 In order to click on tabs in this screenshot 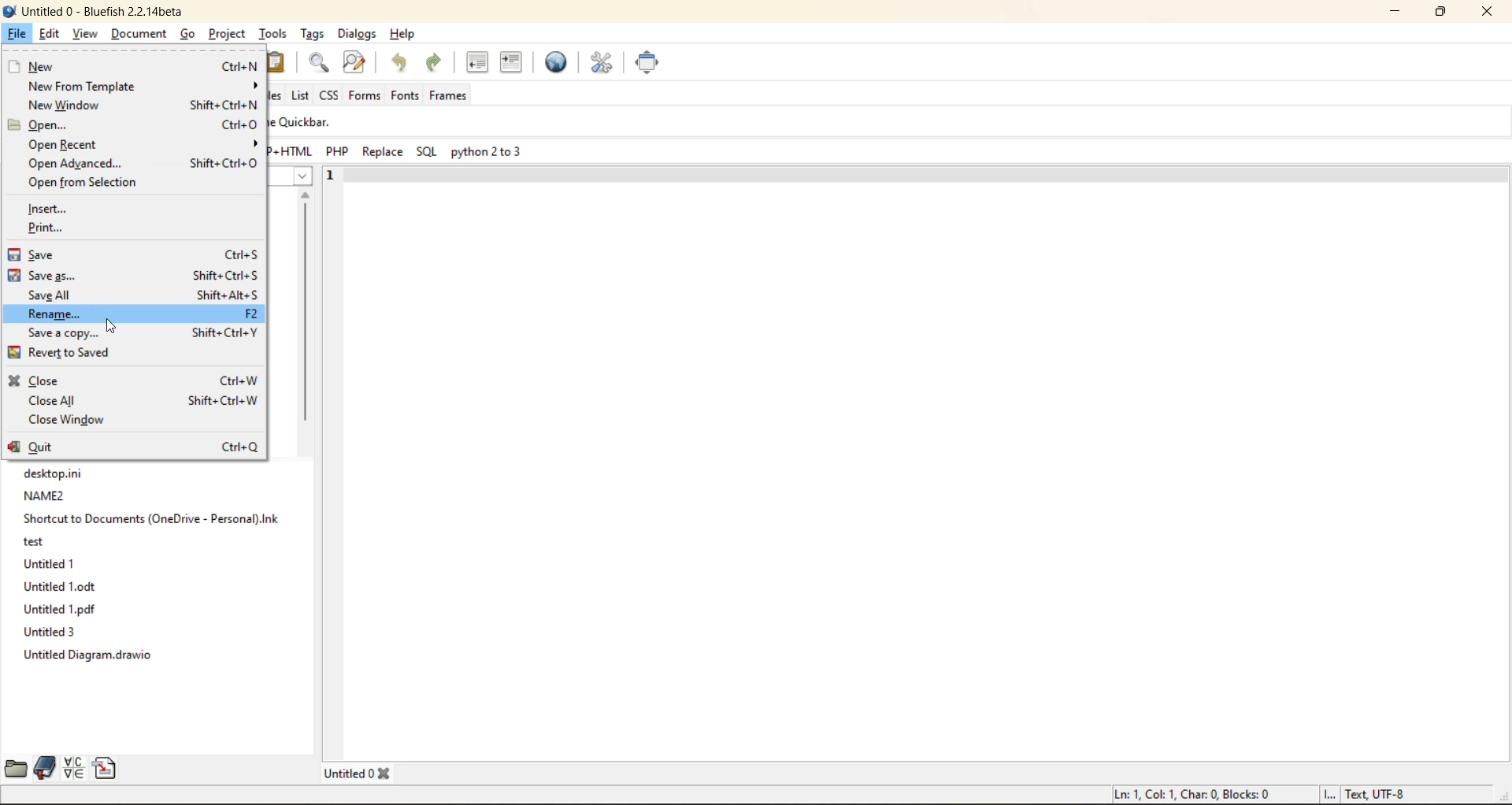, I will do `click(360, 772)`.